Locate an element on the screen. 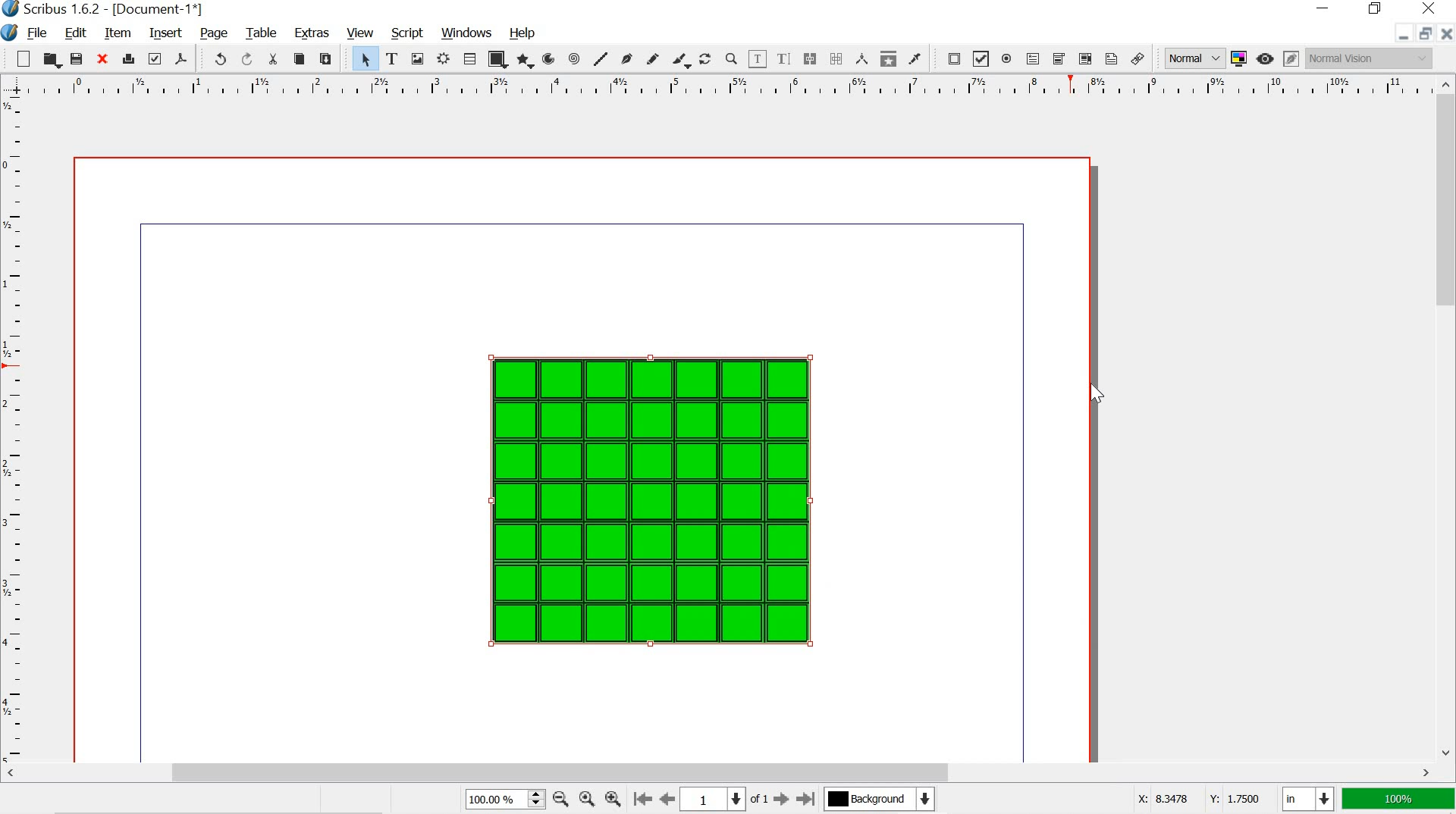 This screenshot has height=814, width=1456. rotate item is located at coordinates (704, 59).